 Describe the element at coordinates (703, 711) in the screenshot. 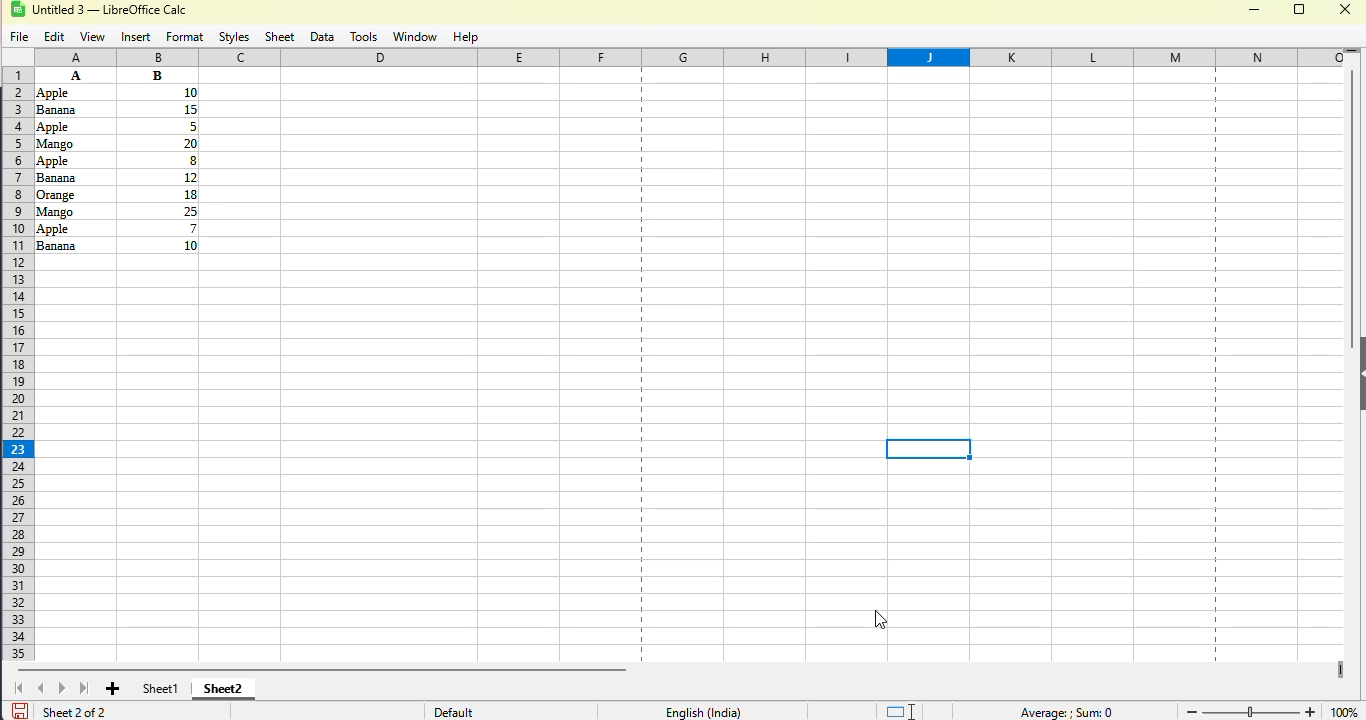

I see `English (India)` at that location.